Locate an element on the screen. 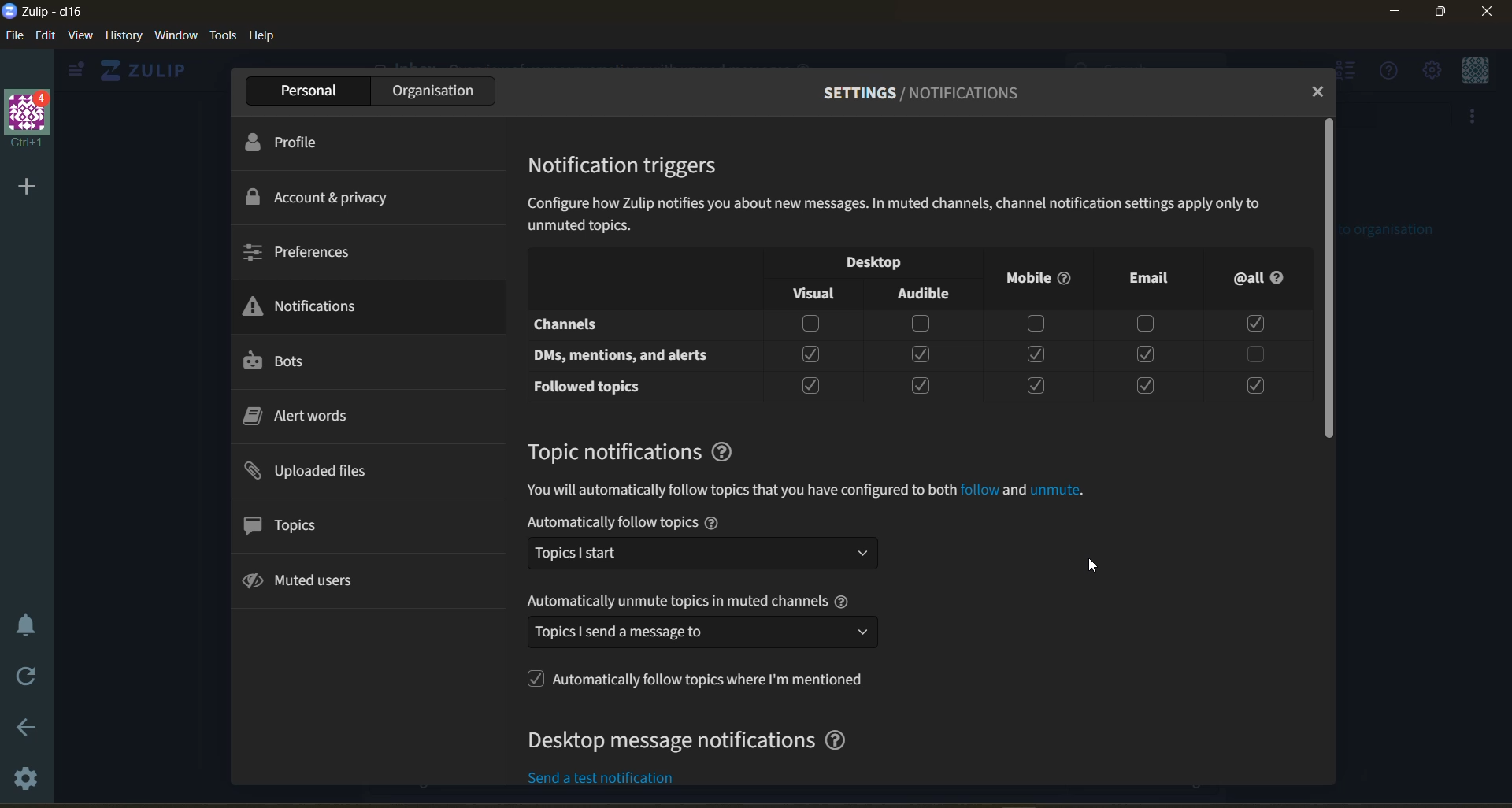  Checkbox is located at coordinates (1254, 324).